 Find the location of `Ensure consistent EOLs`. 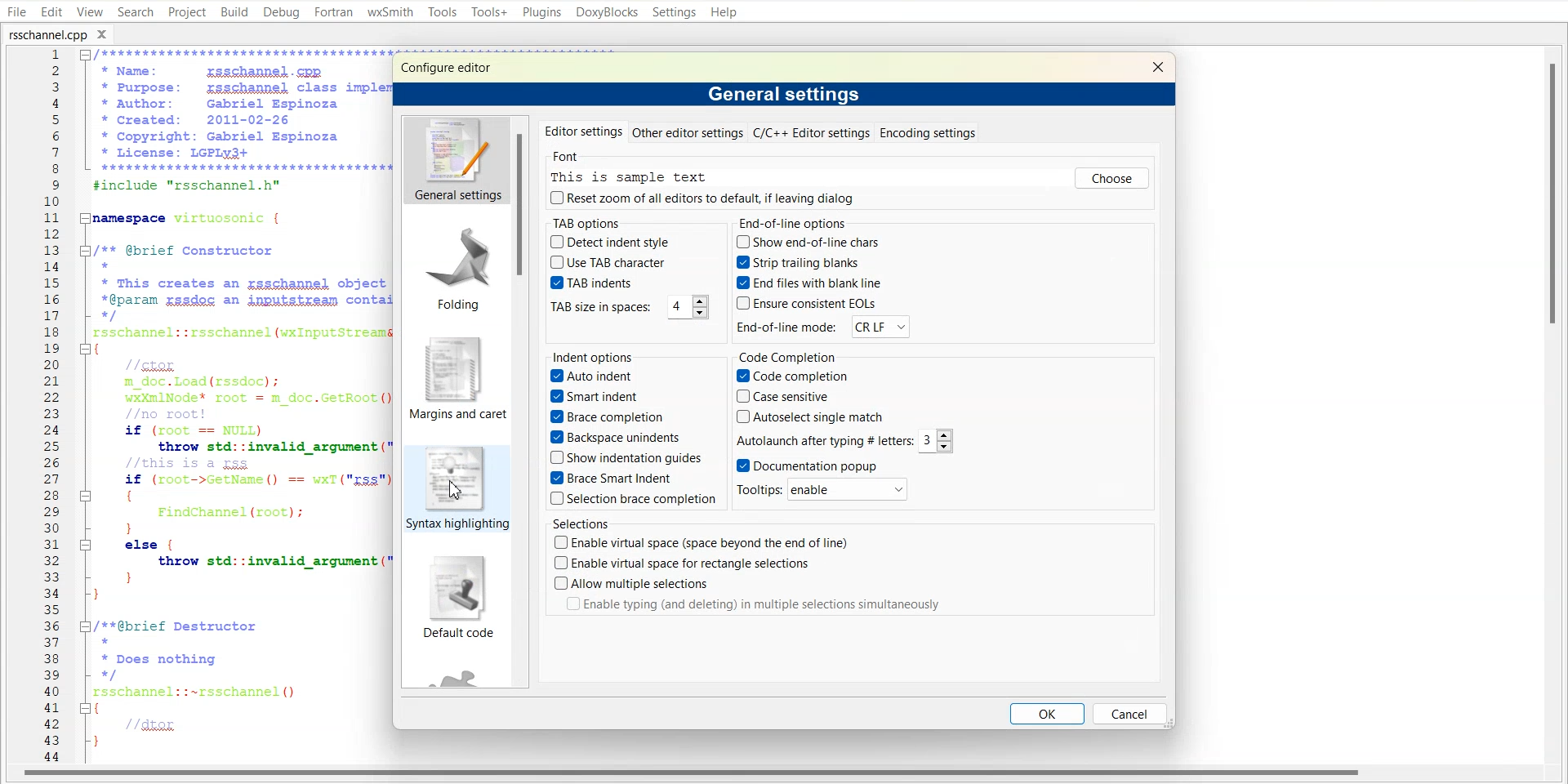

Ensure consistent EOLs is located at coordinates (807, 303).